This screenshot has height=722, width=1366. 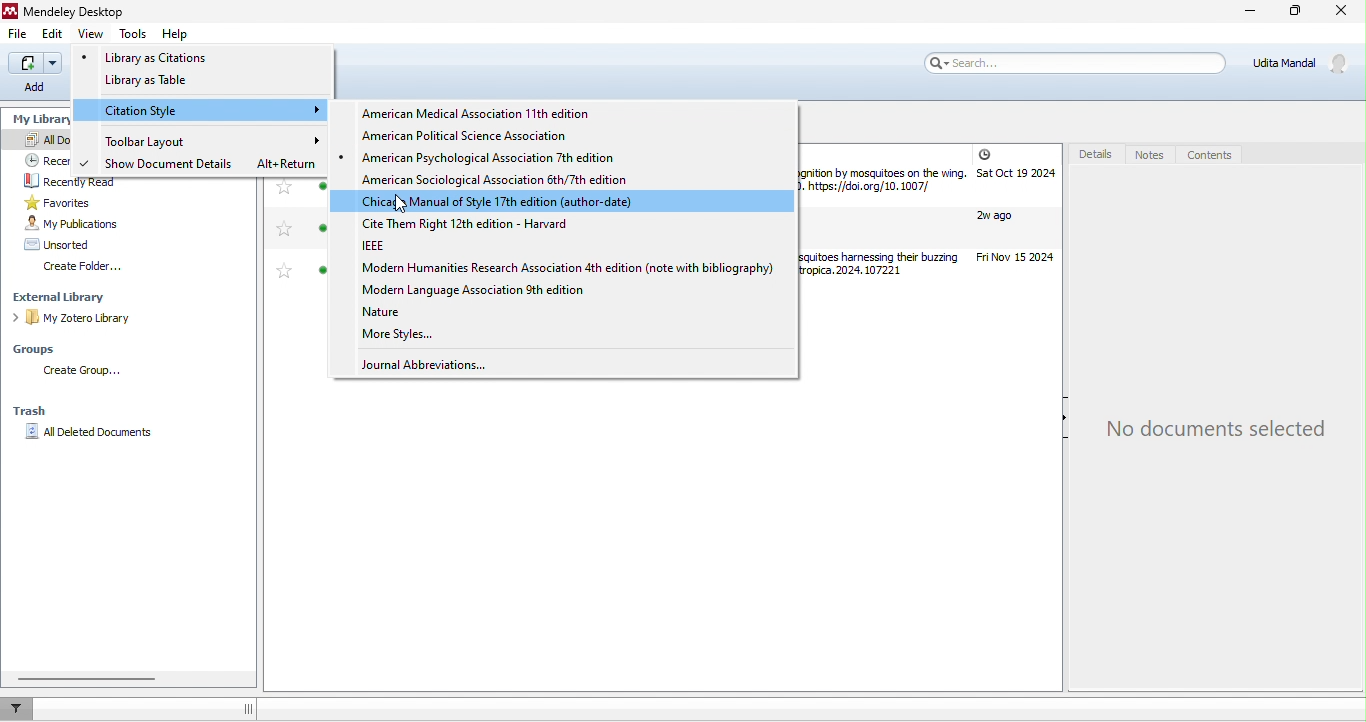 What do you see at coordinates (53, 34) in the screenshot?
I see `edit` at bounding box center [53, 34].